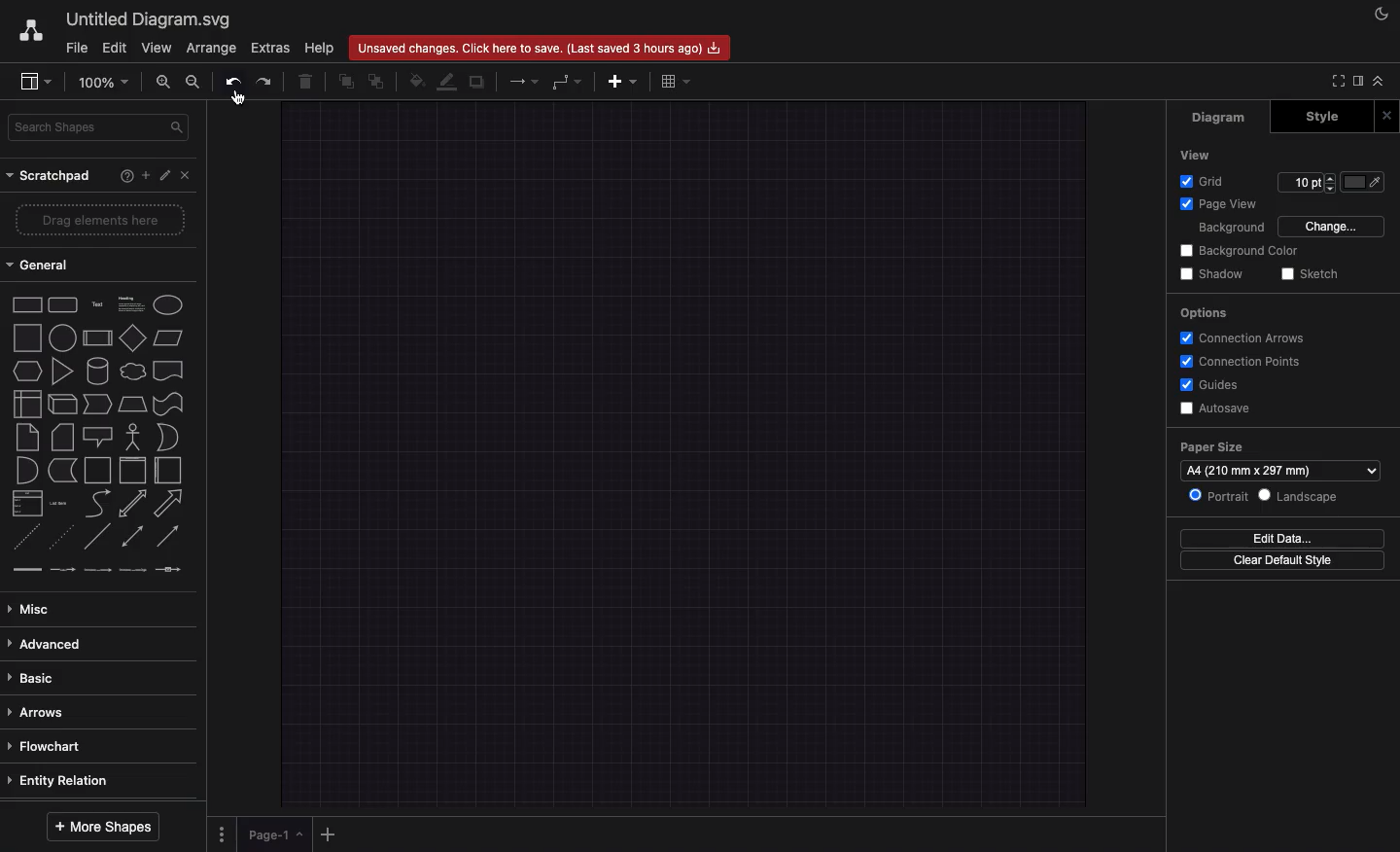 This screenshot has height=852, width=1400. Describe the element at coordinates (116, 49) in the screenshot. I see `Edit` at that location.